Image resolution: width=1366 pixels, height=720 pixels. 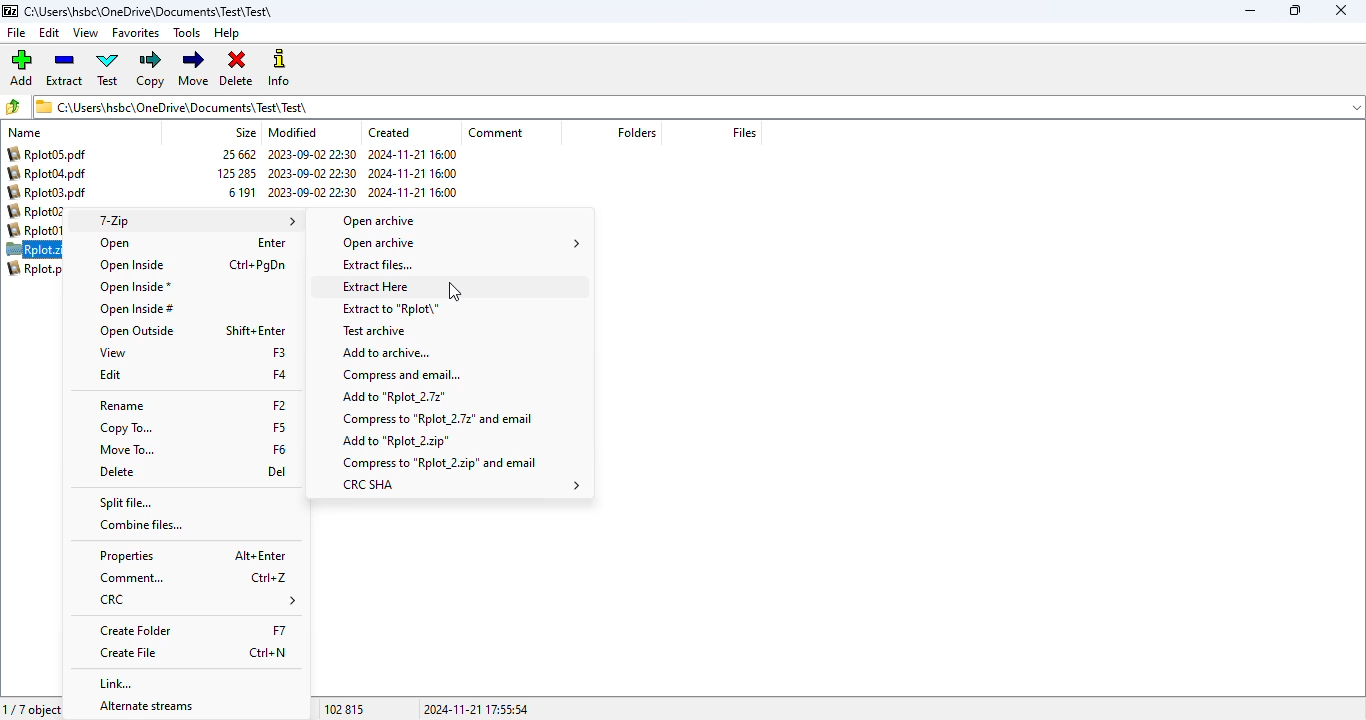 What do you see at coordinates (294, 132) in the screenshot?
I see `modified` at bounding box center [294, 132].